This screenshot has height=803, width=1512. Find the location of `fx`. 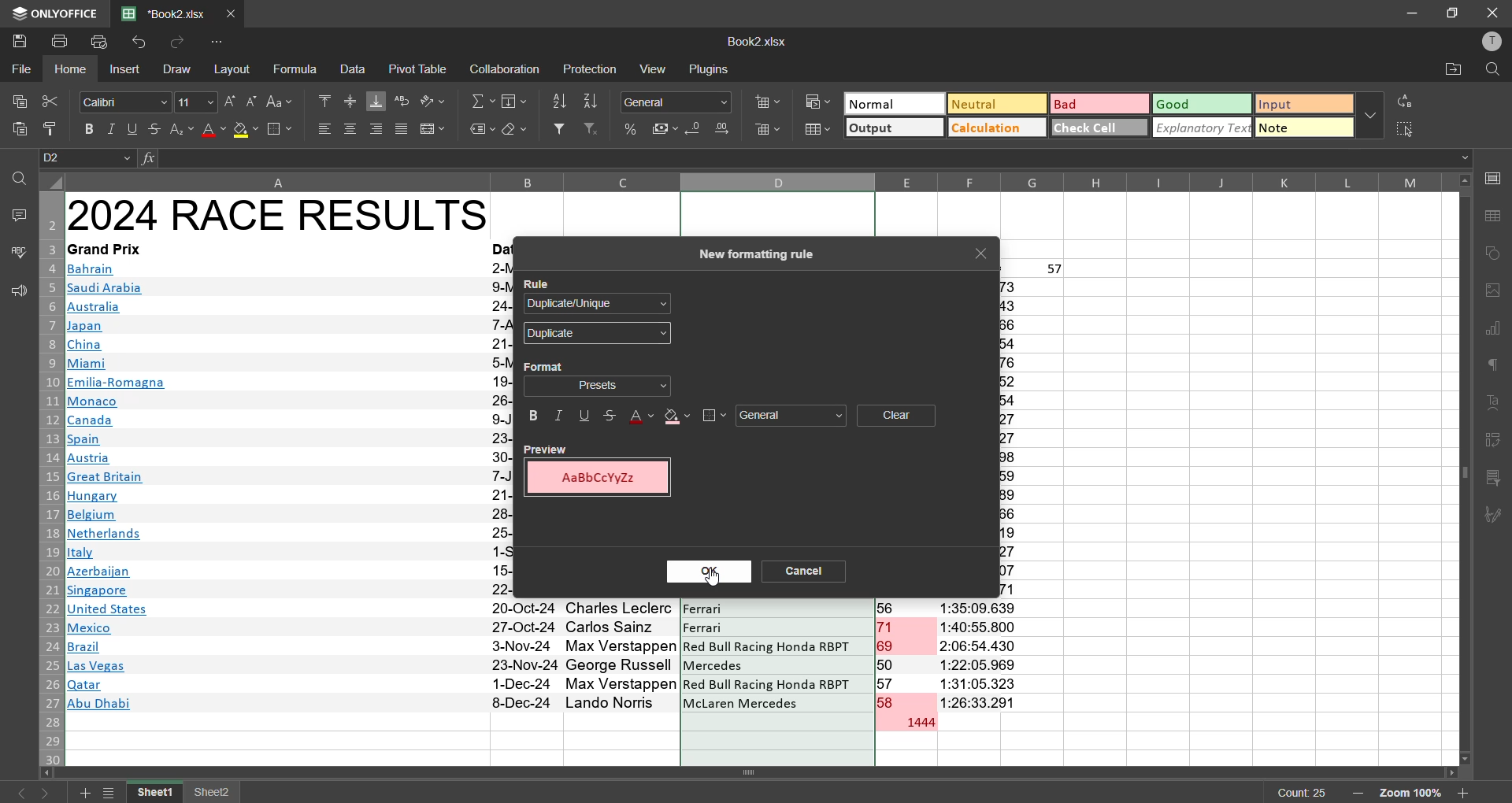

fx is located at coordinates (150, 158).